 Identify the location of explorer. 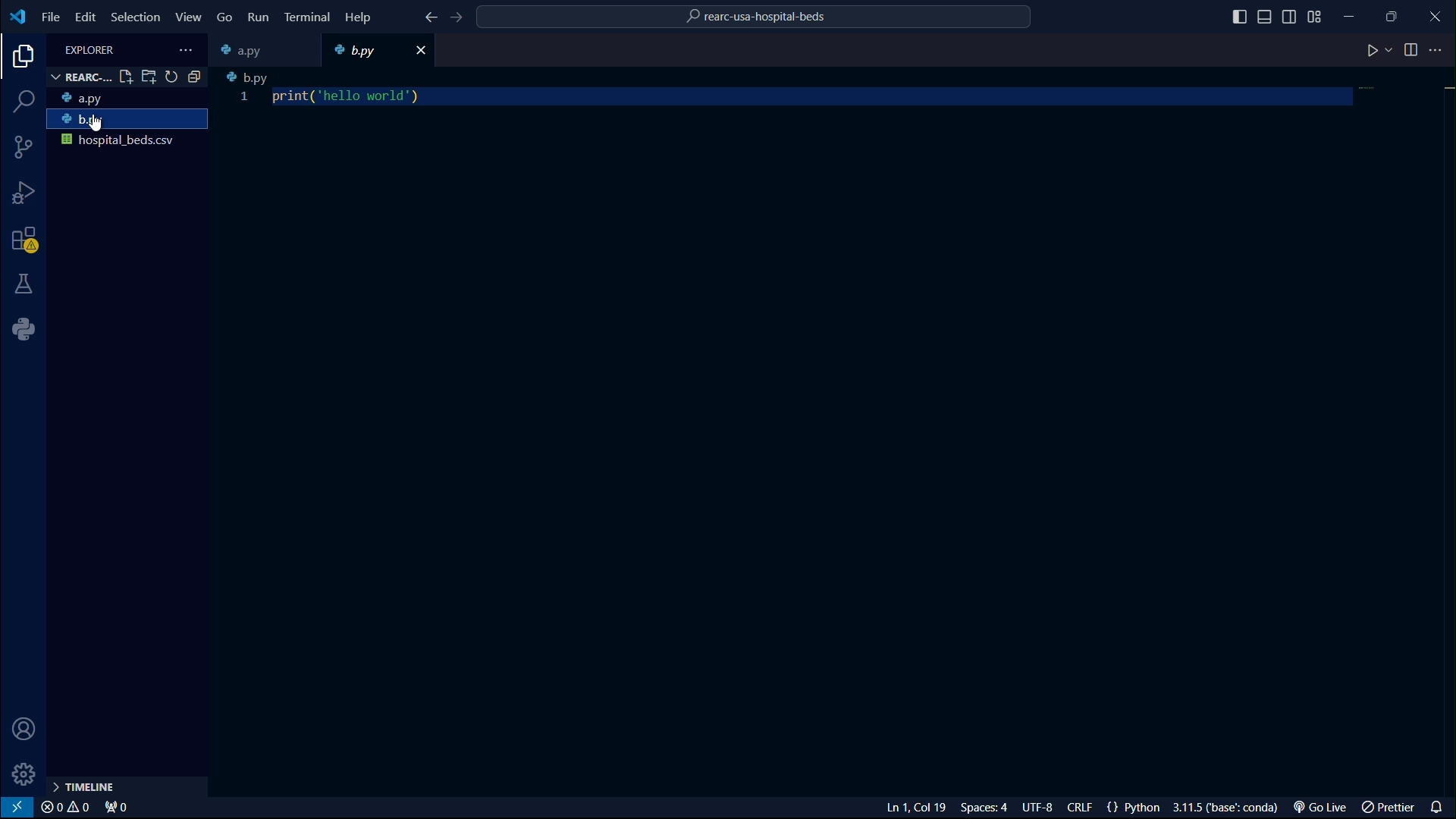
(20, 58).